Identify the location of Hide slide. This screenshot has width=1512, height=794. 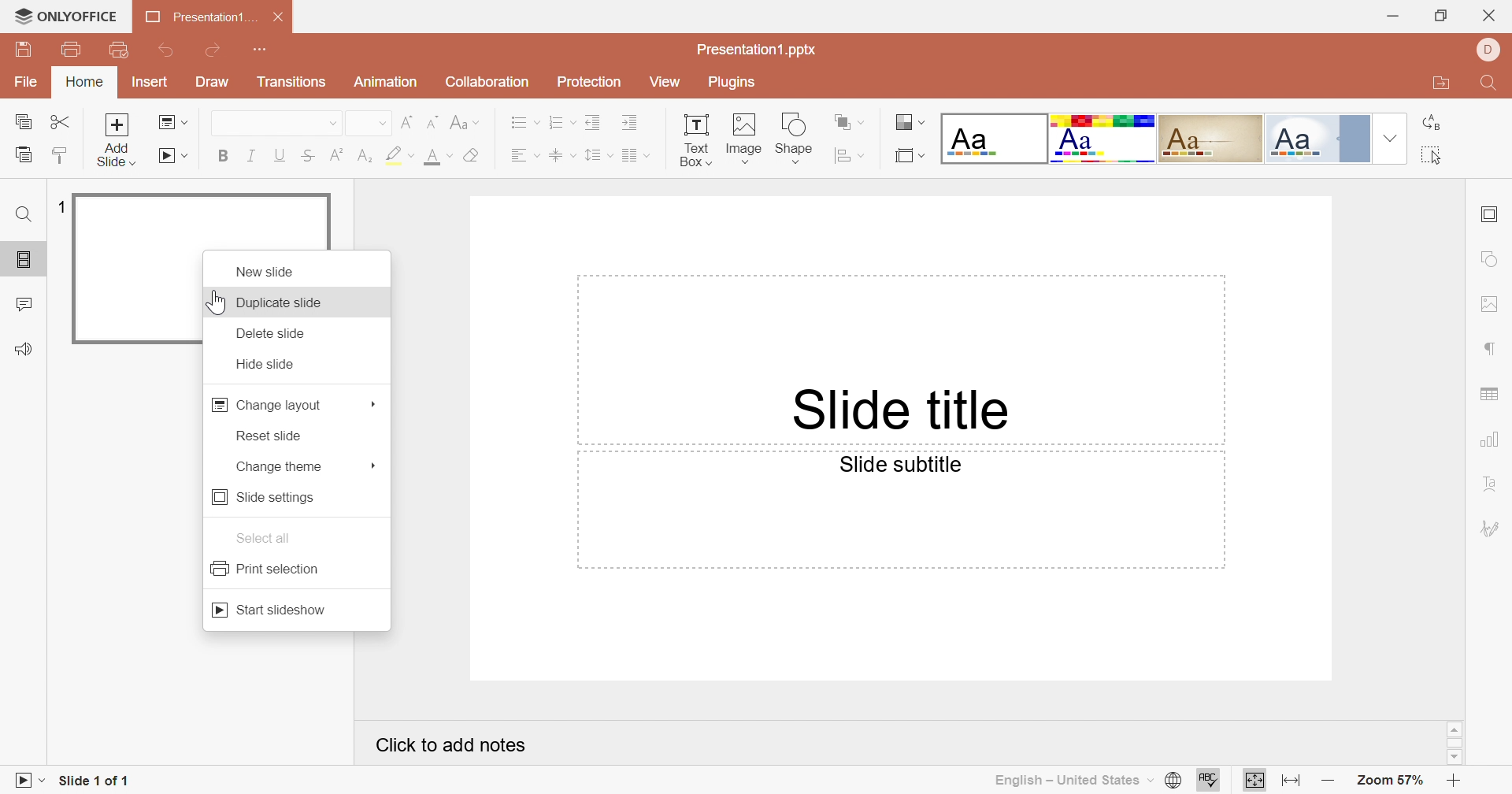
(267, 366).